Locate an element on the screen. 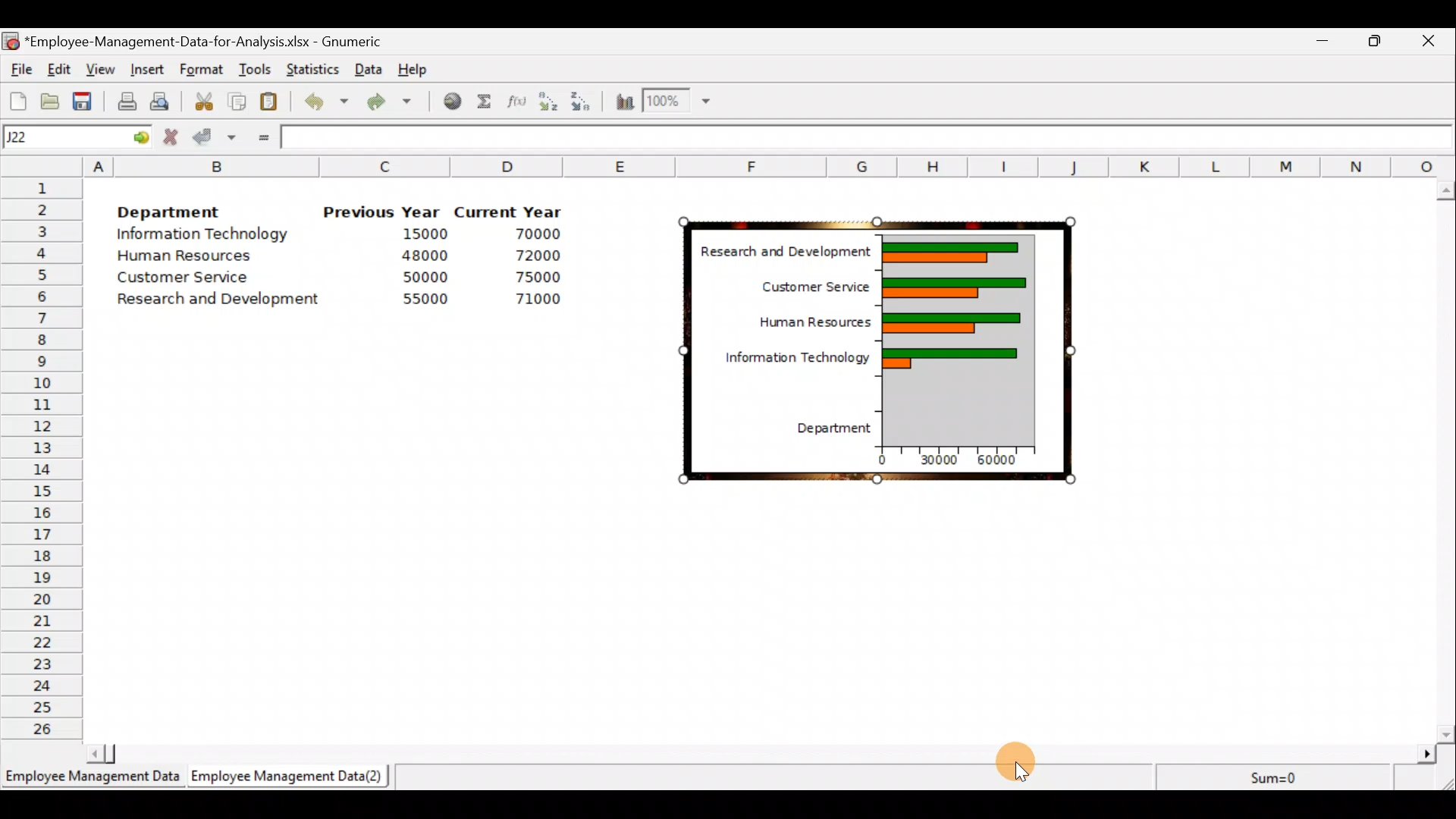  72000 is located at coordinates (541, 253).